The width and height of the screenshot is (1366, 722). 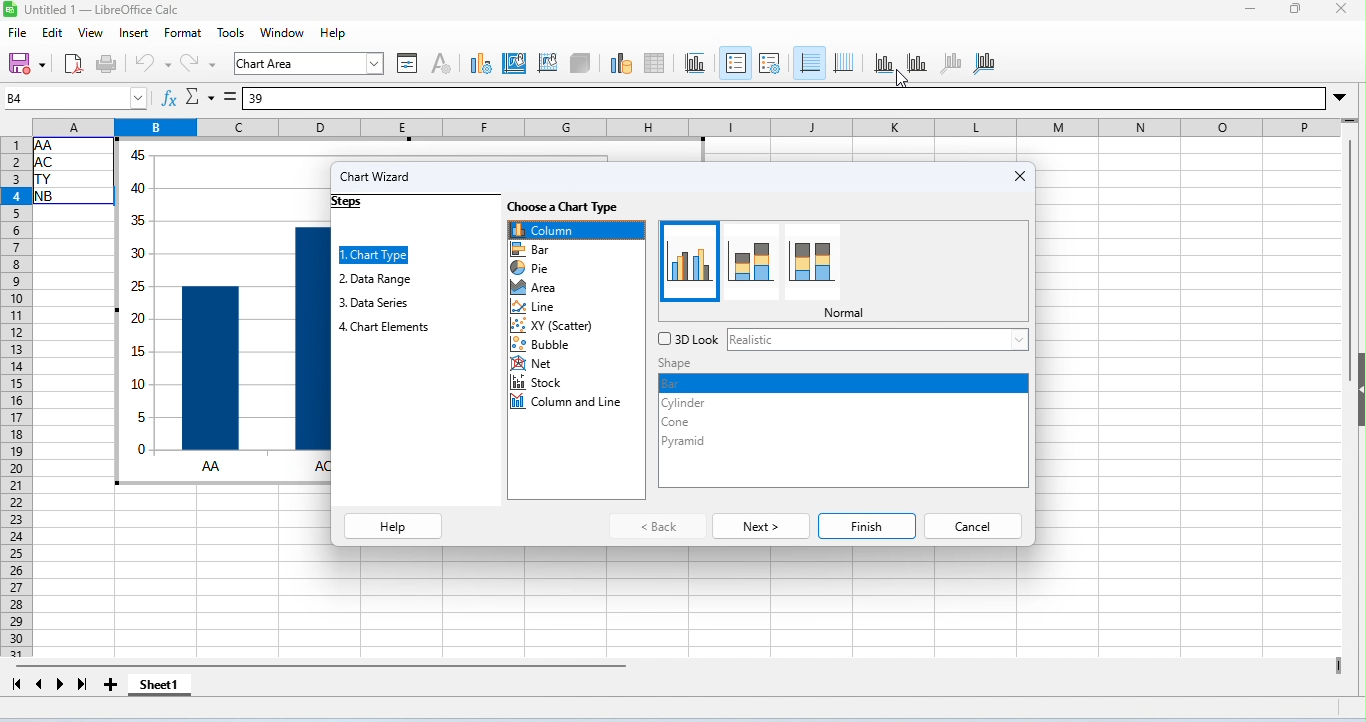 What do you see at coordinates (408, 64) in the screenshot?
I see `format selection` at bounding box center [408, 64].